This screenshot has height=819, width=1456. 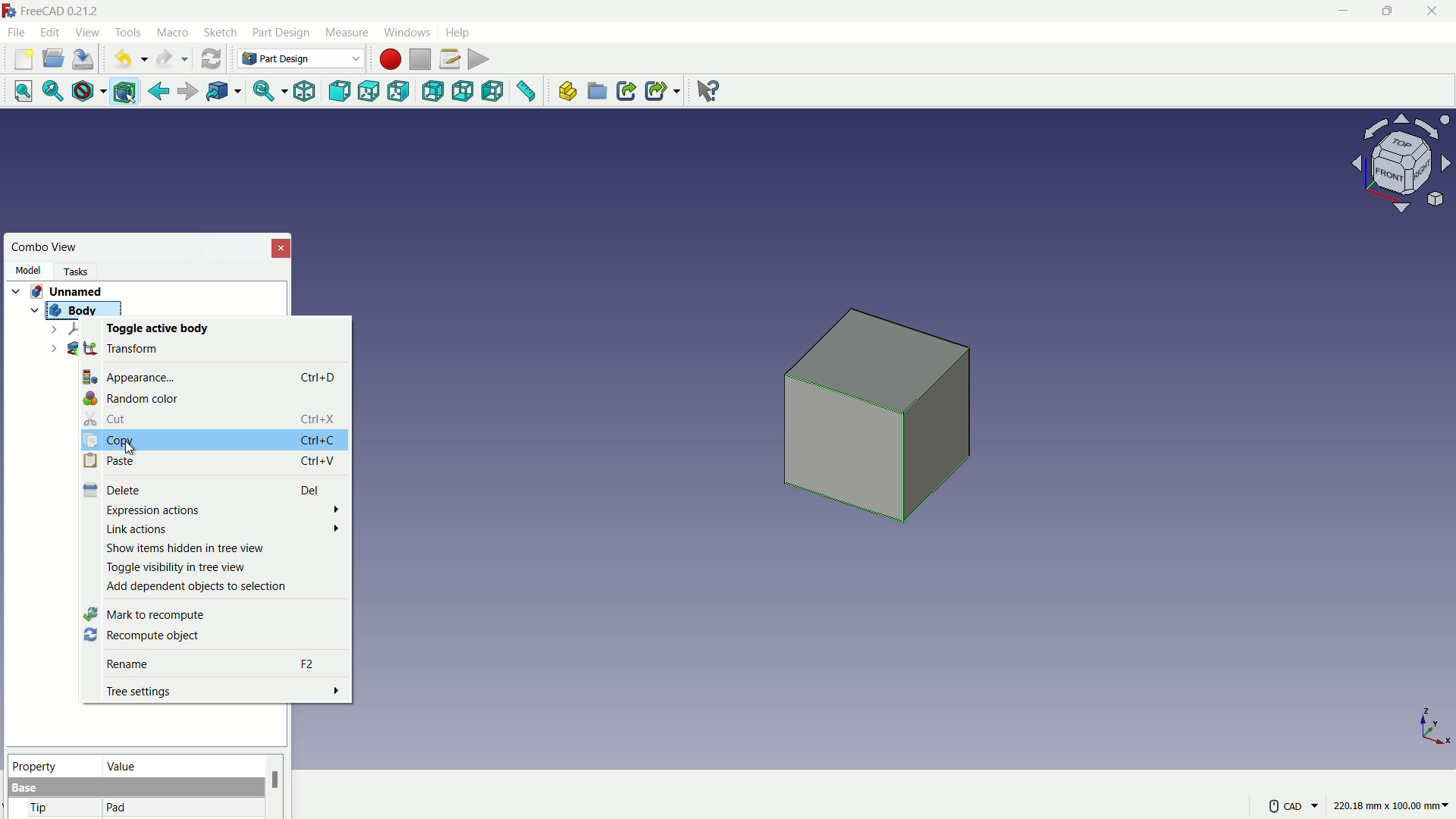 I want to click on preset viewpoint, so click(x=1406, y=171).